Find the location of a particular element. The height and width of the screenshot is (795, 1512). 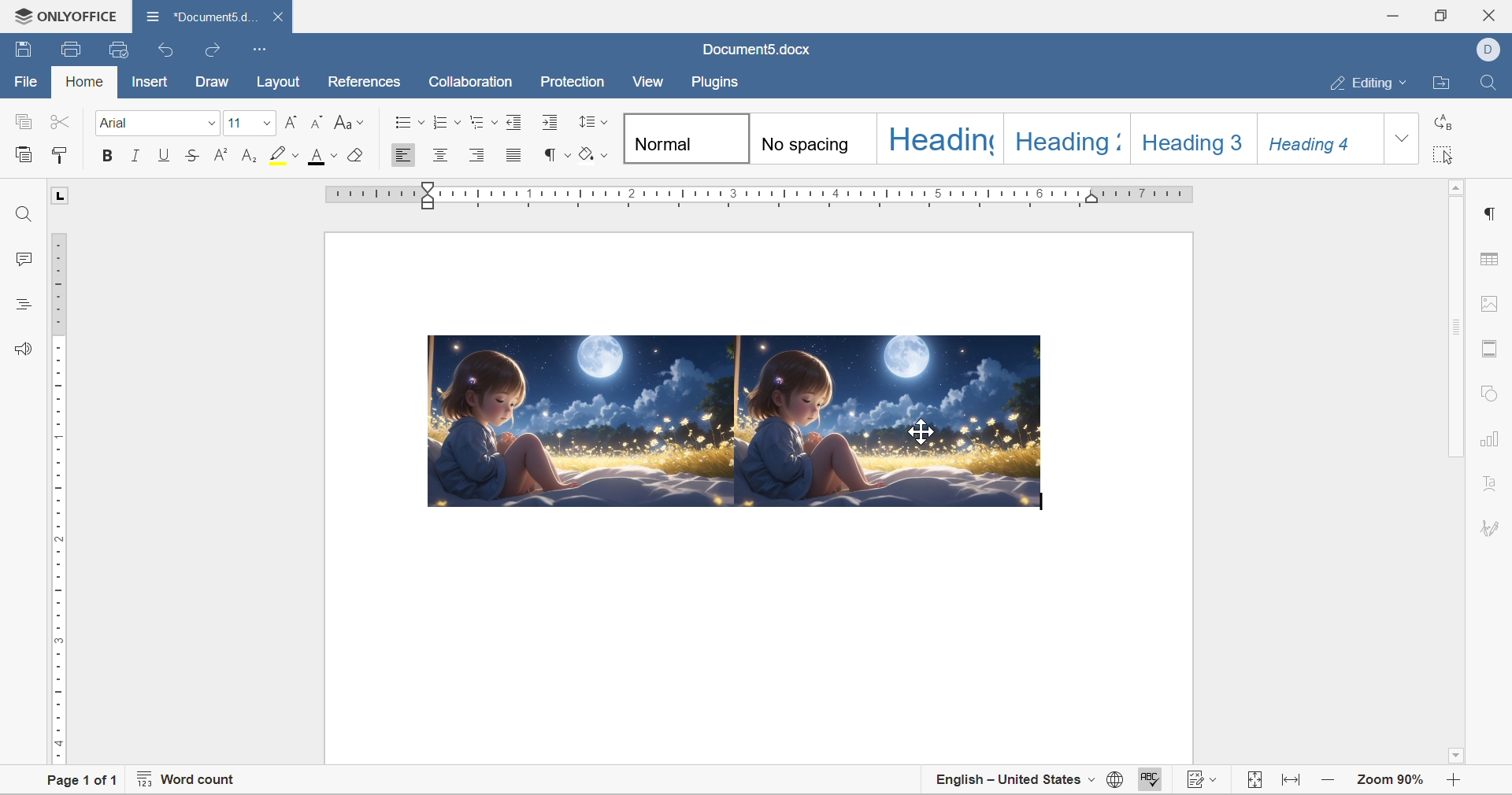

cut is located at coordinates (61, 120).